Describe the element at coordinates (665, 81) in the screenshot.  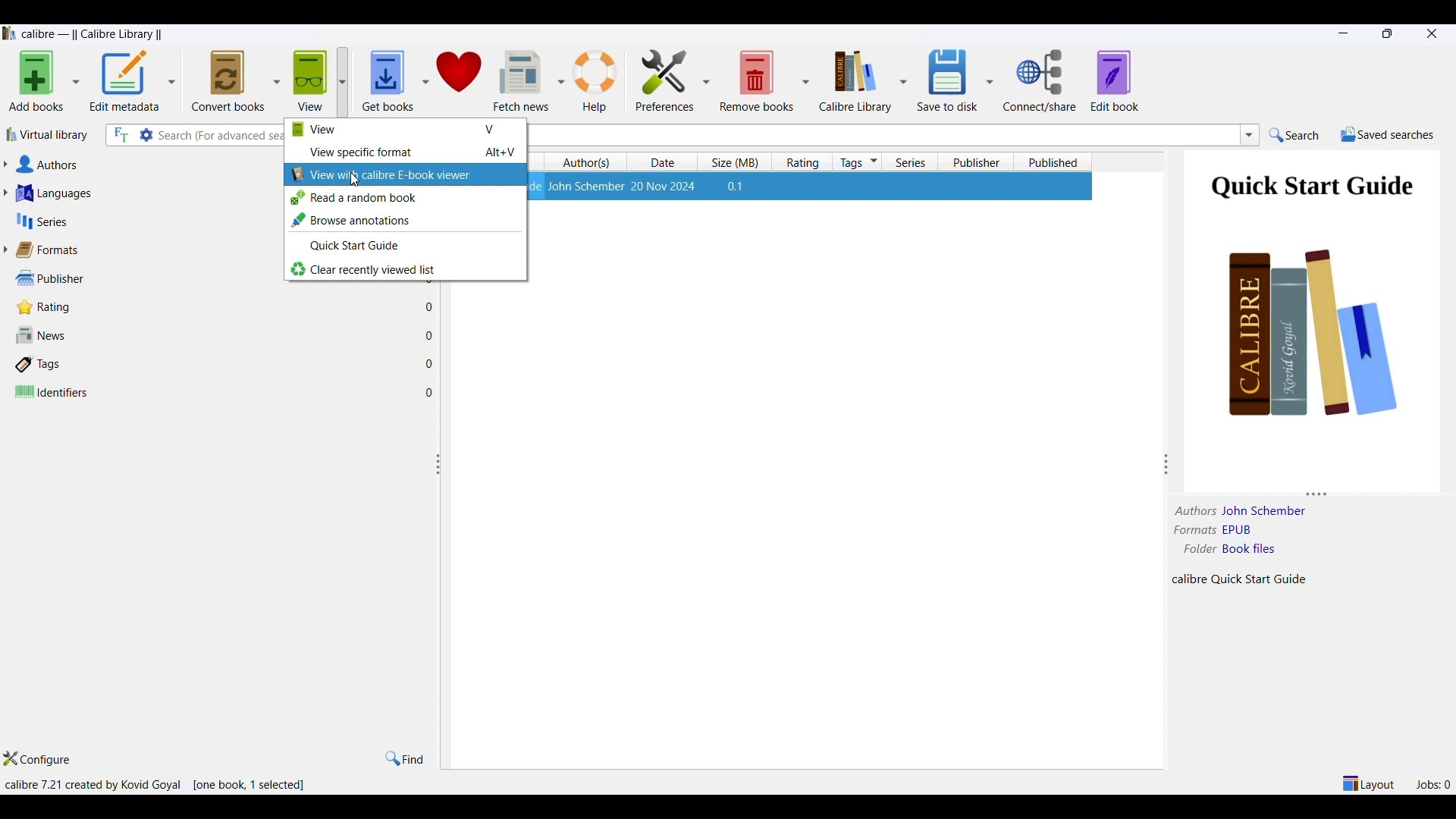
I see `preferences` at that location.